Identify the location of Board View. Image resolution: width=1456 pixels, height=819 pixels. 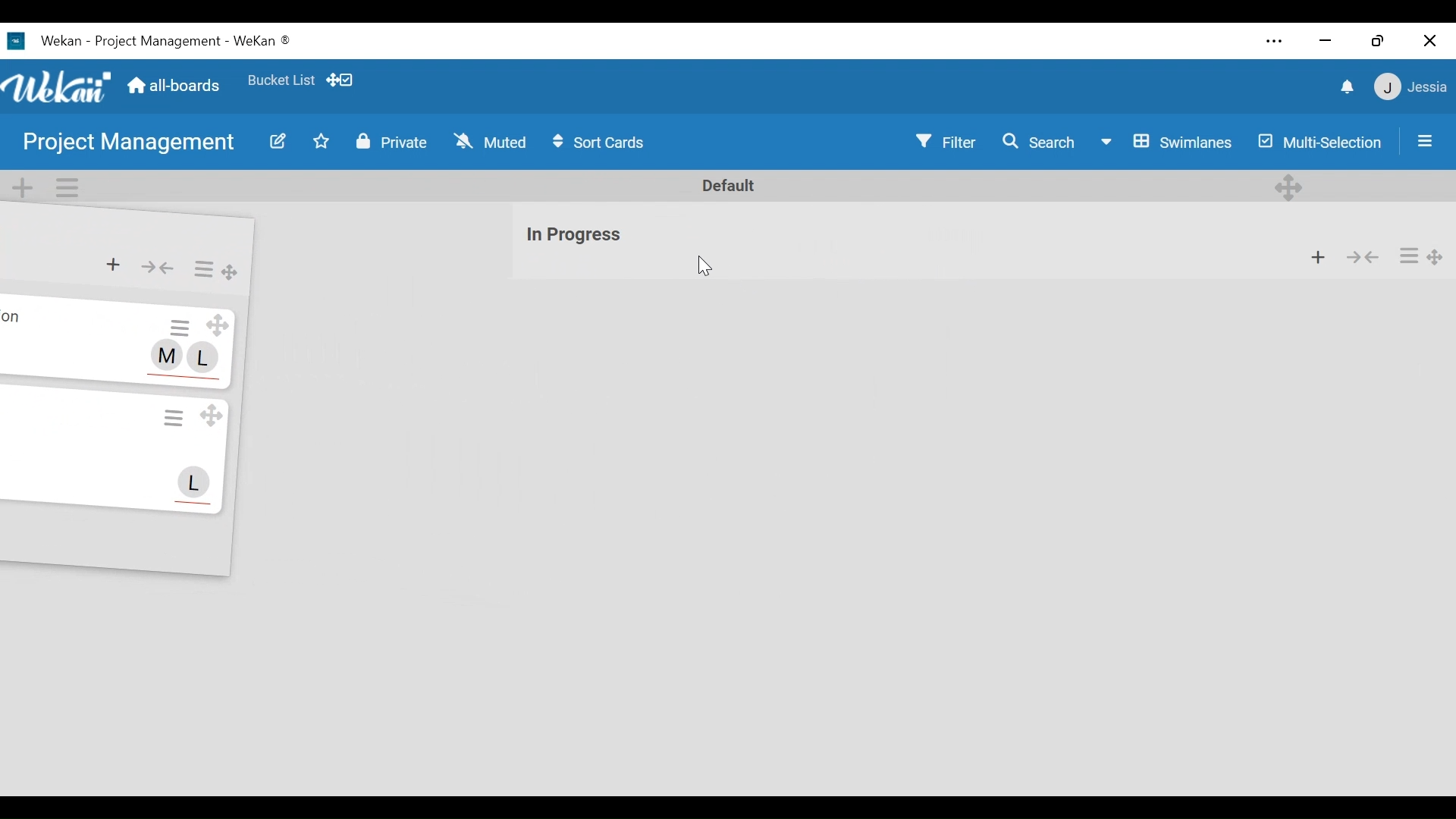
(1167, 142).